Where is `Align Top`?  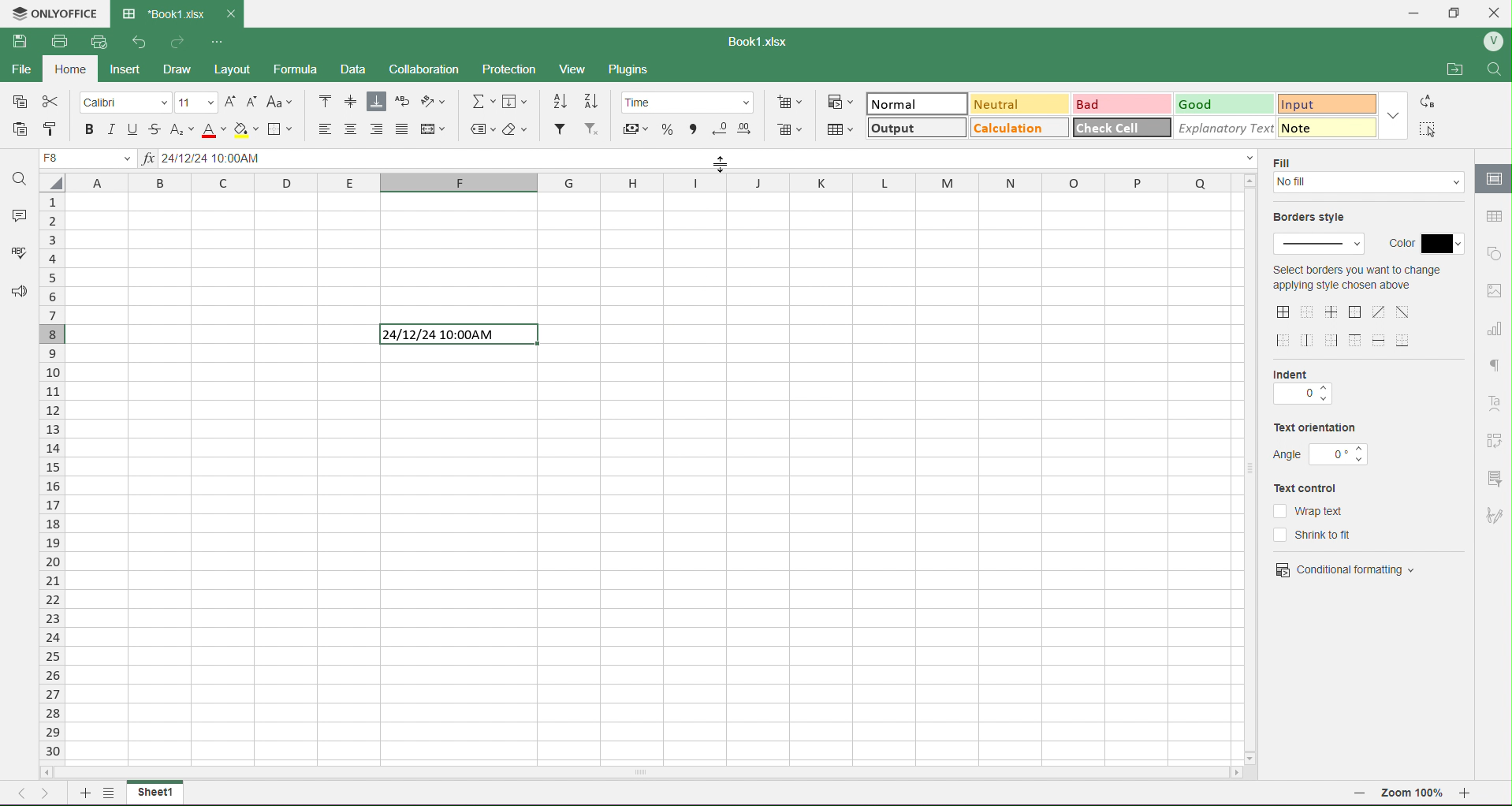 Align Top is located at coordinates (326, 100).